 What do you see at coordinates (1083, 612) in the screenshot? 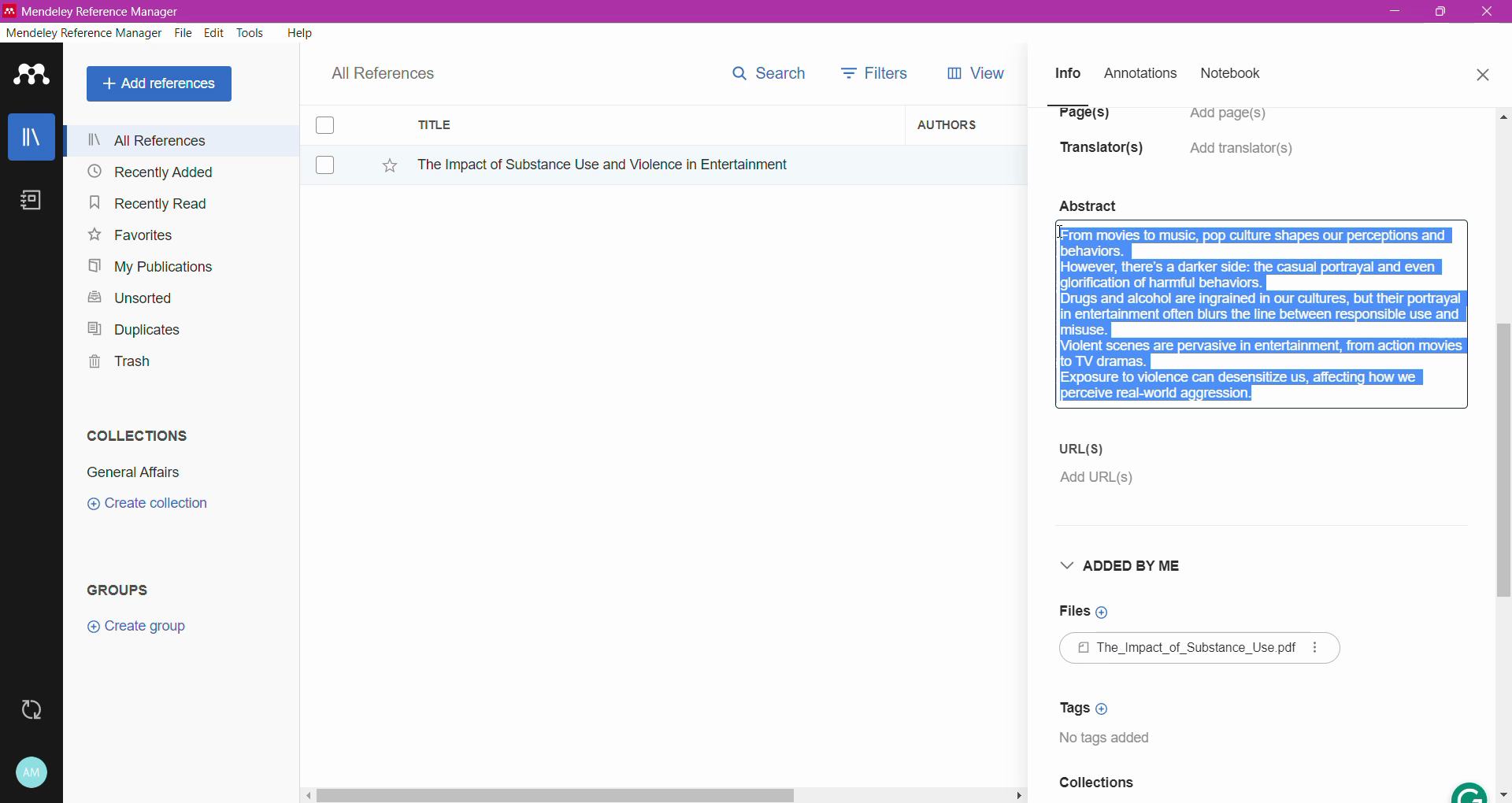
I see `Click to Add Files` at bounding box center [1083, 612].